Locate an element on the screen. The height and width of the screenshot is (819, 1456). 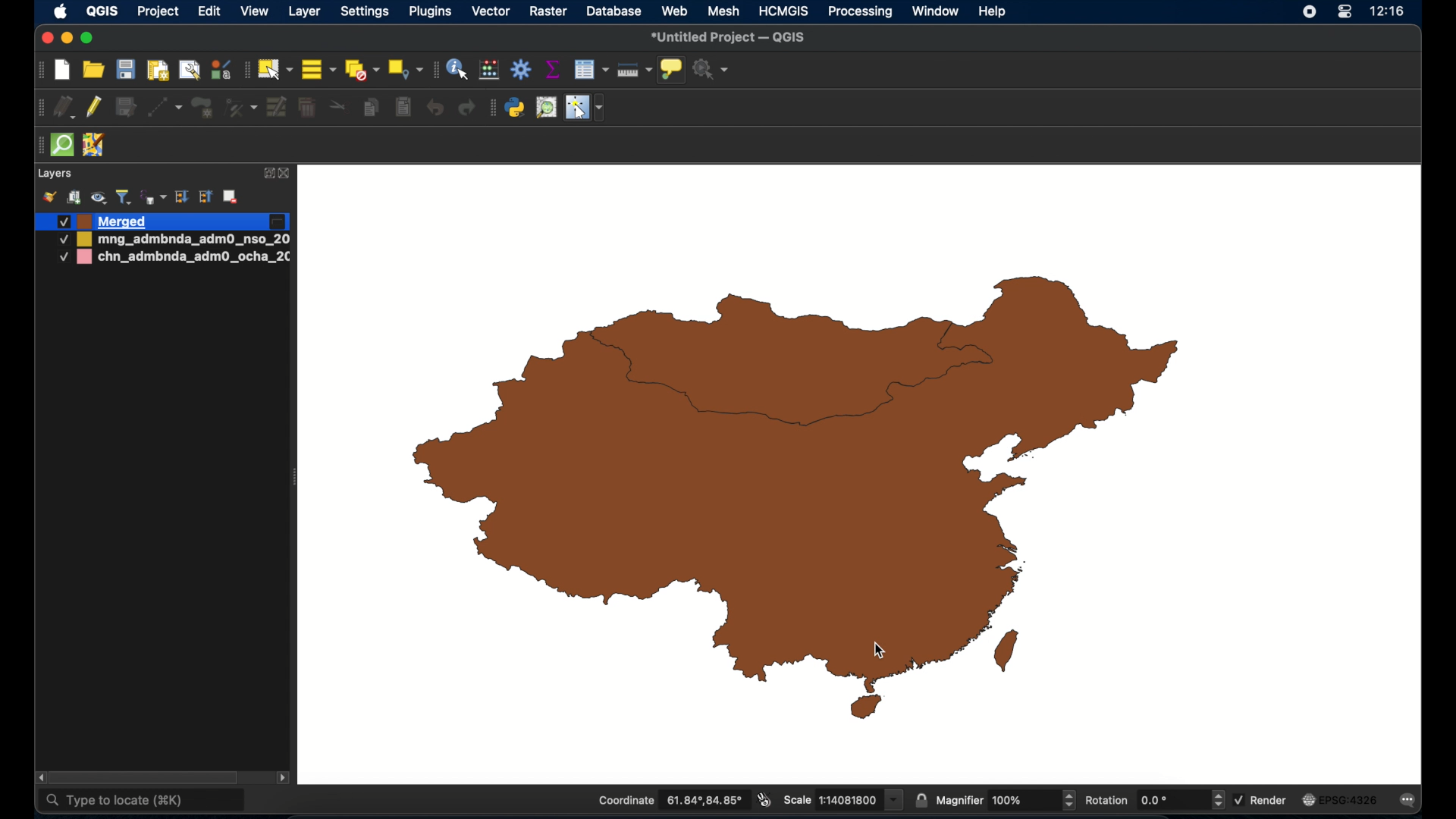
QGIS is located at coordinates (101, 11).